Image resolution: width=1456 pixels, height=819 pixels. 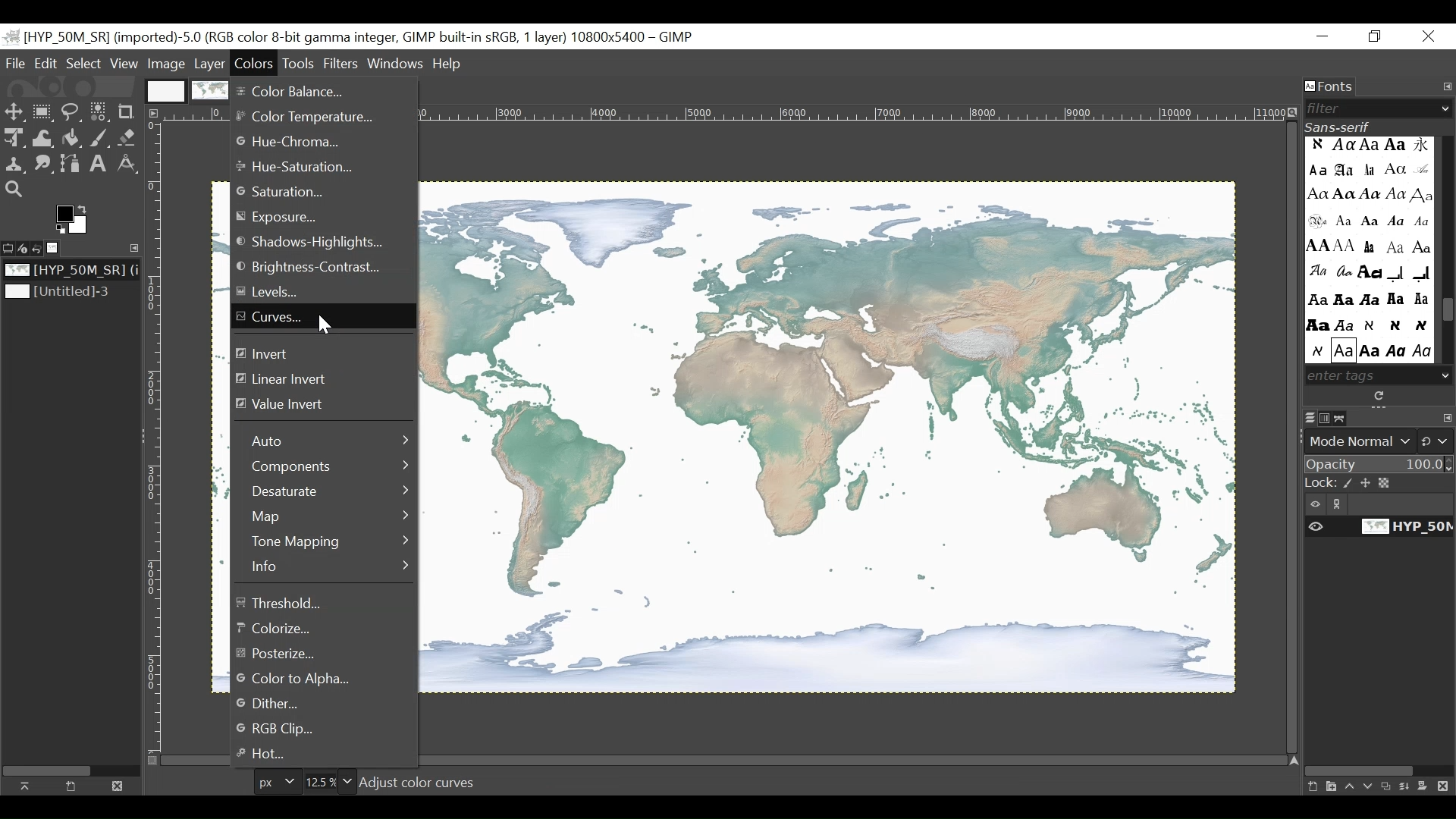 I want to click on Value Invert, so click(x=322, y=405).